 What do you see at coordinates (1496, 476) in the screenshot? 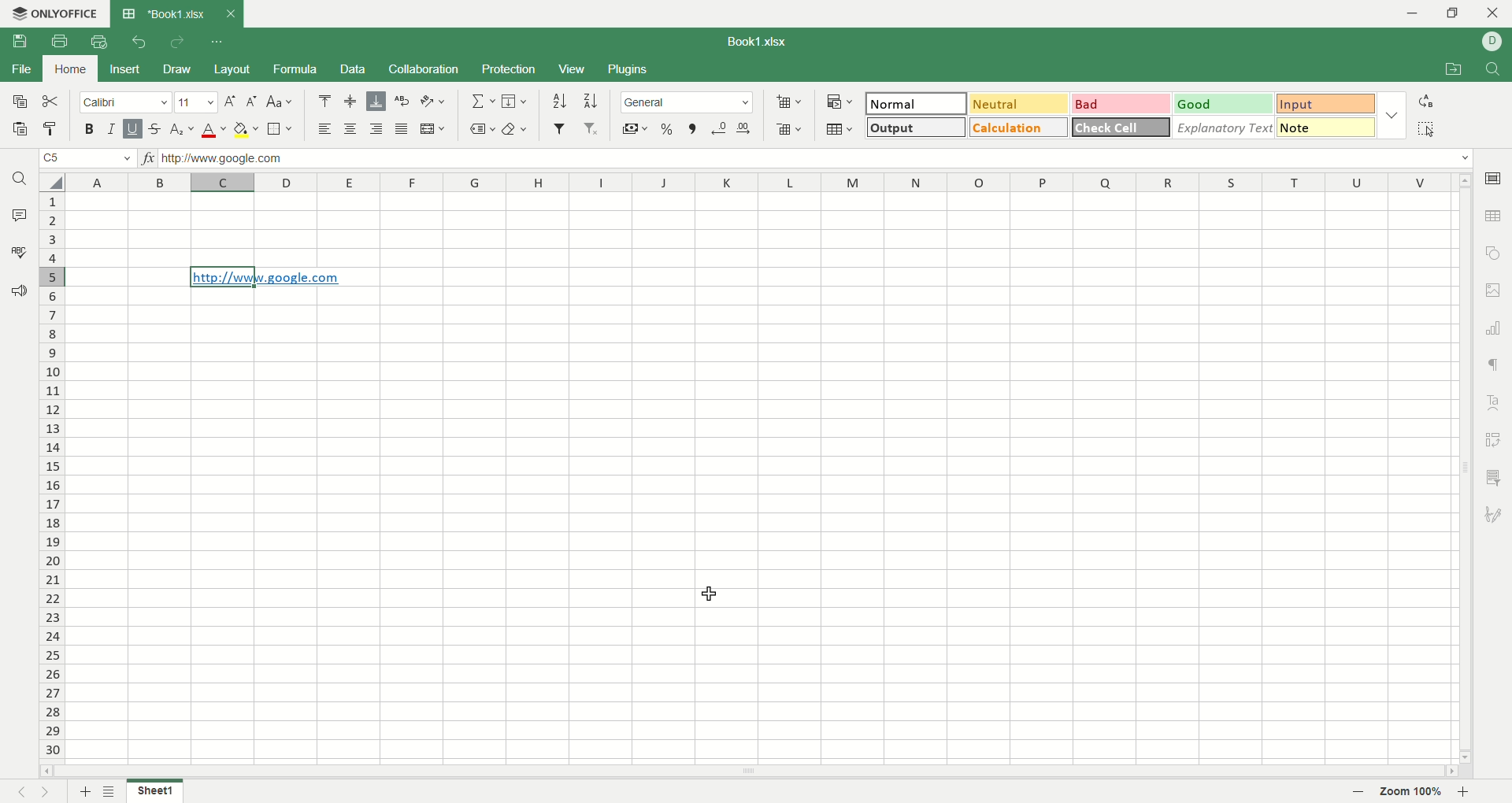
I see `slice settings` at bounding box center [1496, 476].